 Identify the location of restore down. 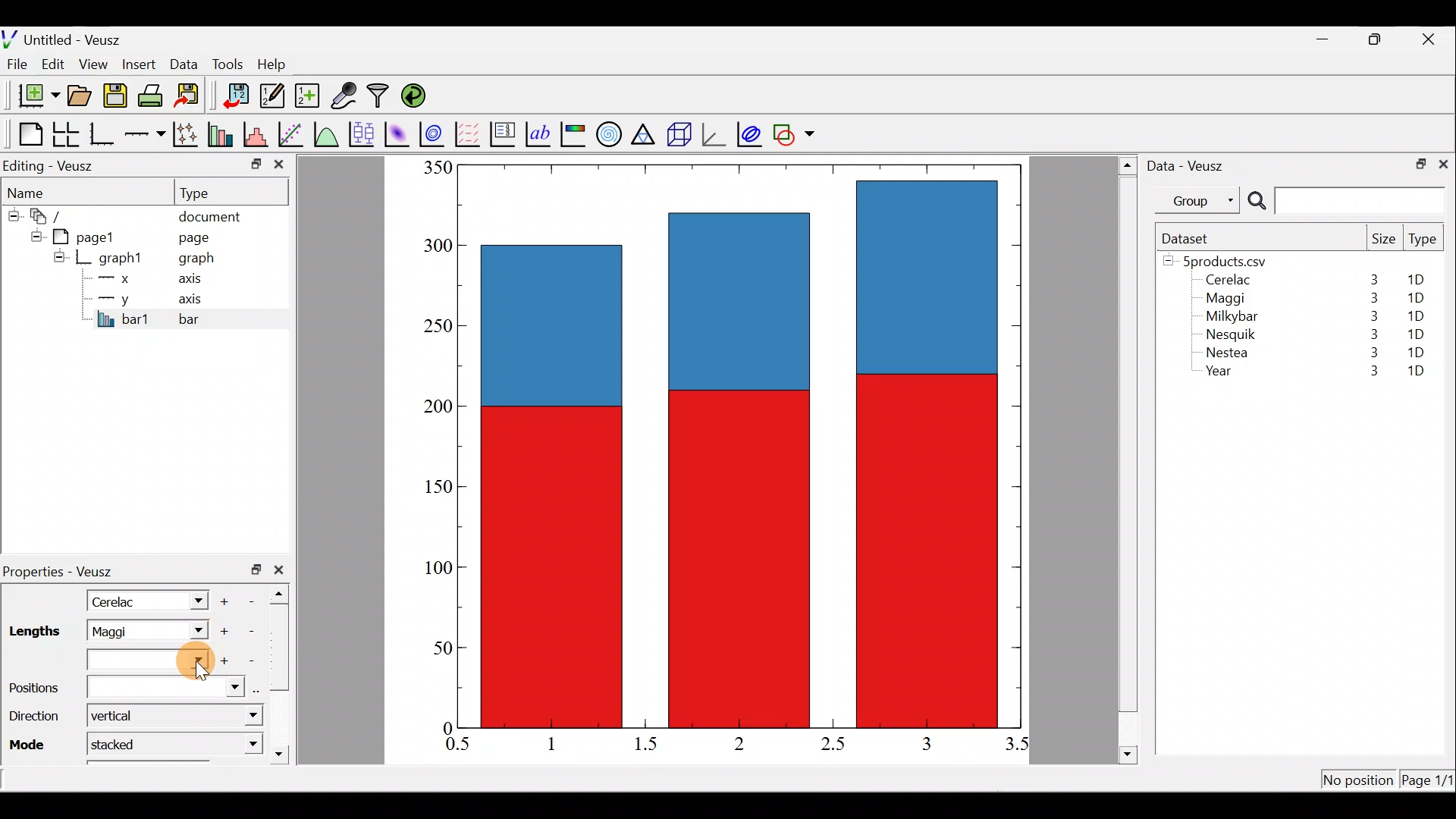
(1416, 162).